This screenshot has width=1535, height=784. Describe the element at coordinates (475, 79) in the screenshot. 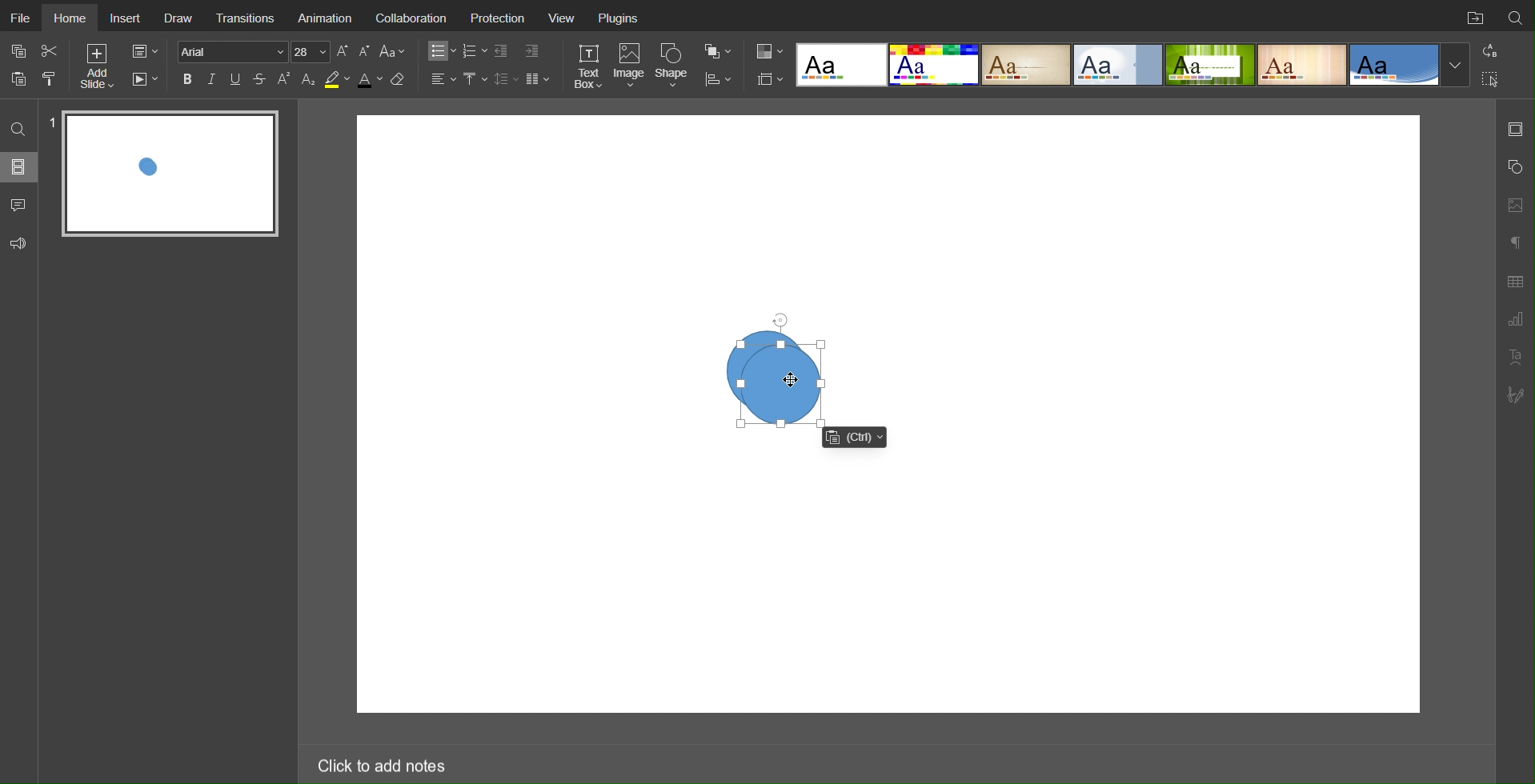

I see `Vertical Alignment` at that location.